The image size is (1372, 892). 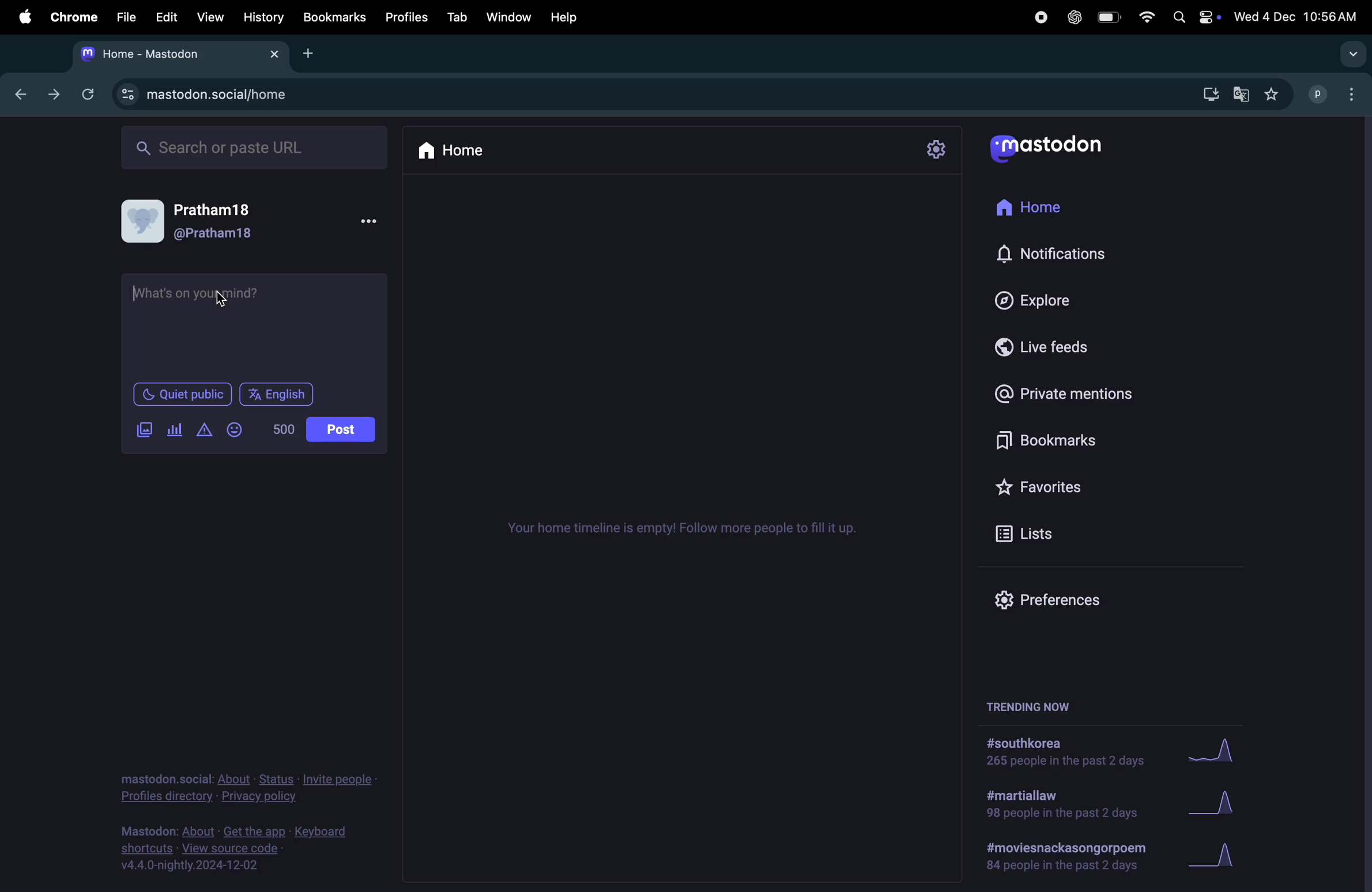 What do you see at coordinates (1143, 16) in the screenshot?
I see `wifi` at bounding box center [1143, 16].